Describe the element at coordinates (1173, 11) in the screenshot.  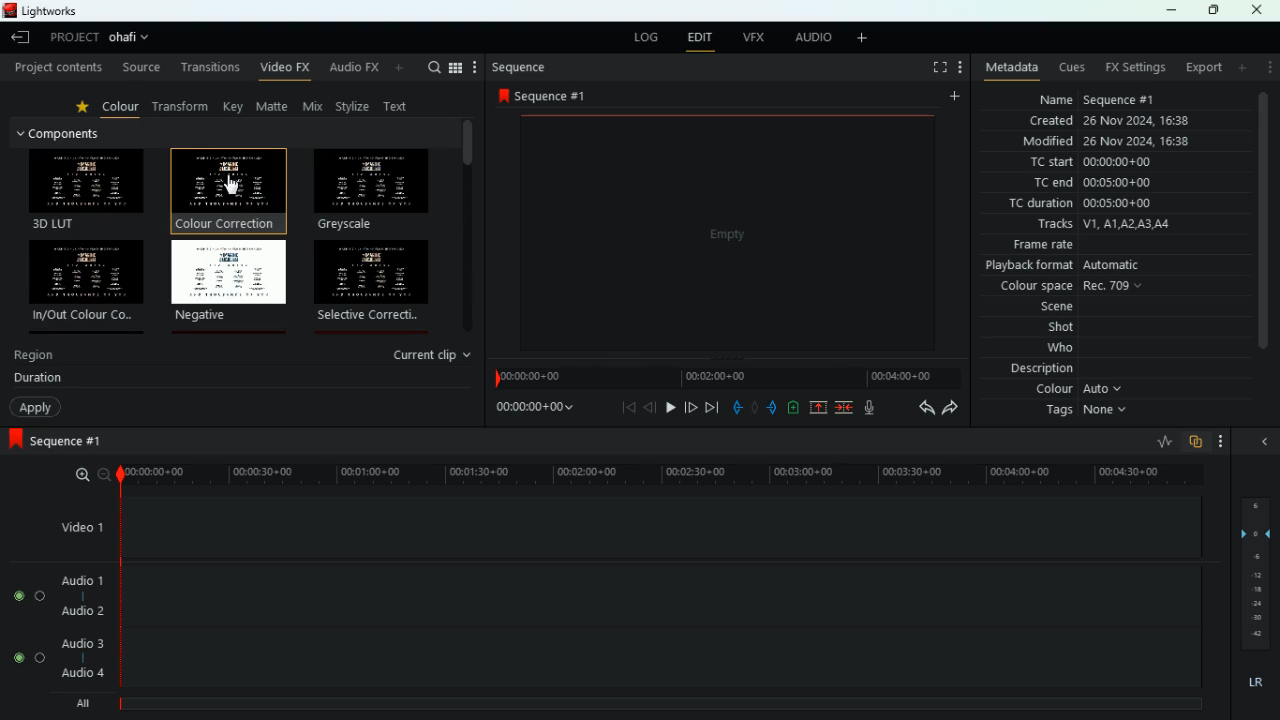
I see `minimize` at that location.